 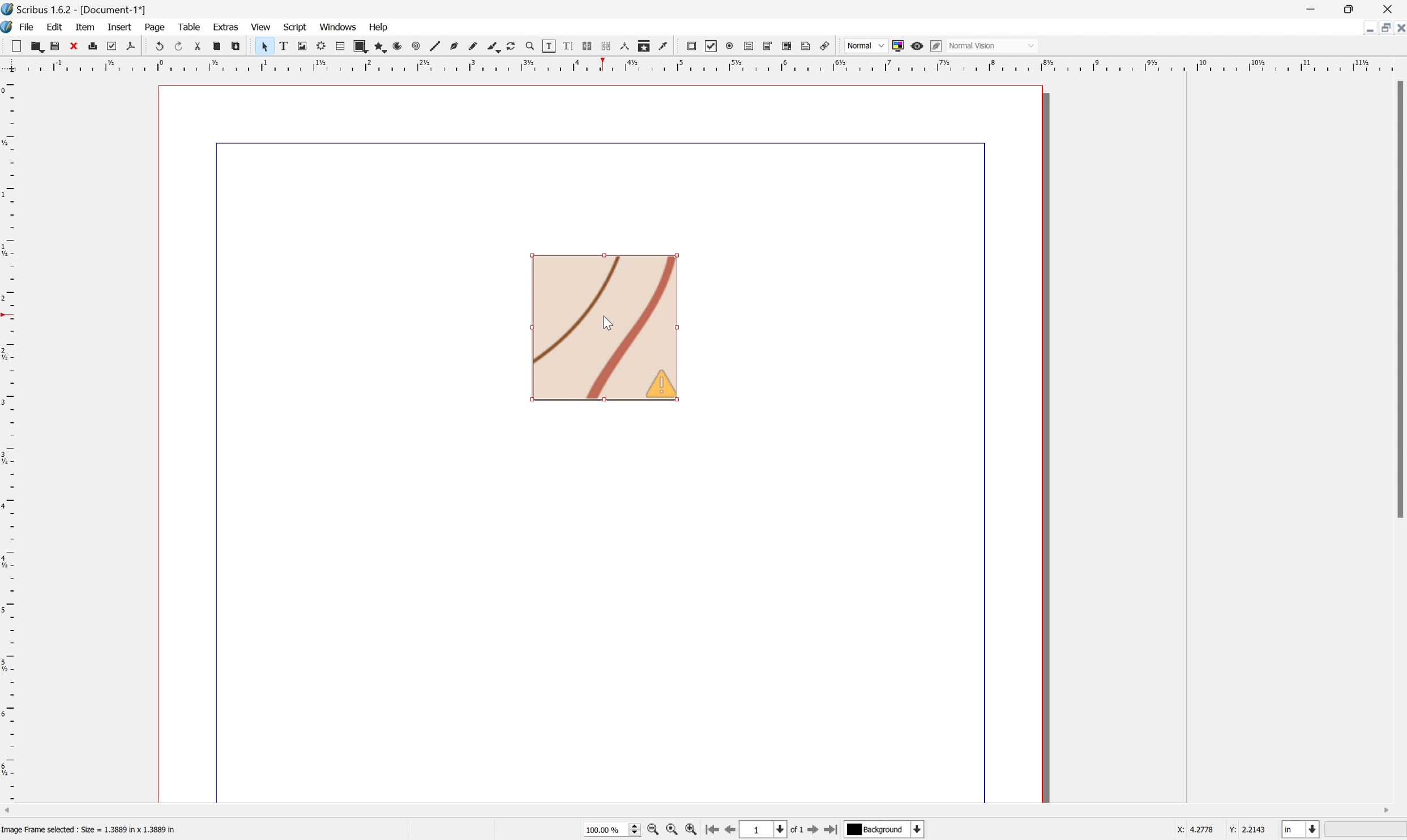 What do you see at coordinates (281, 46) in the screenshot?
I see `Text frame` at bounding box center [281, 46].